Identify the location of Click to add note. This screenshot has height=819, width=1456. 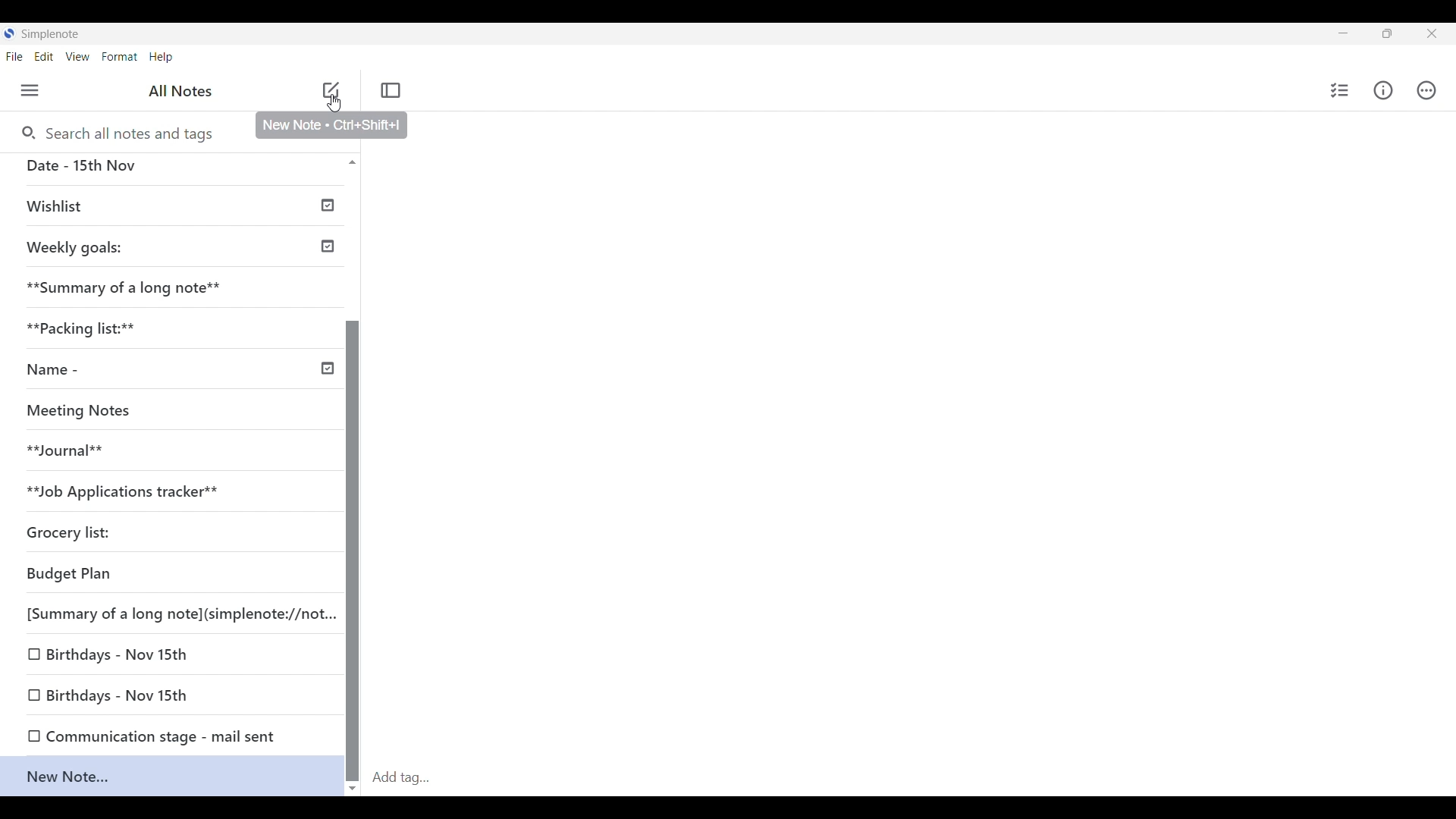
(332, 89).